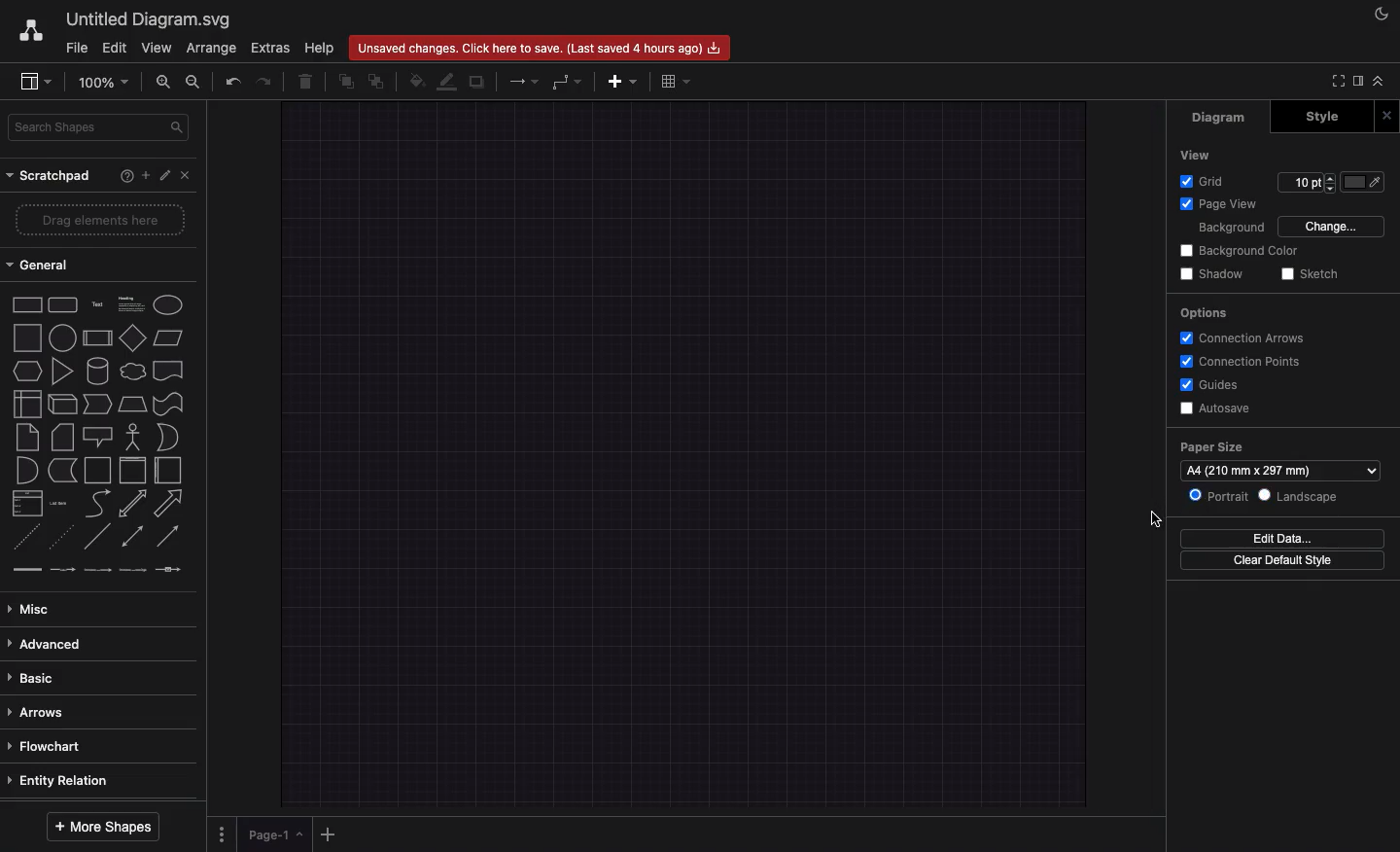 The width and height of the screenshot is (1400, 852). What do you see at coordinates (1282, 539) in the screenshot?
I see `Edit data` at bounding box center [1282, 539].